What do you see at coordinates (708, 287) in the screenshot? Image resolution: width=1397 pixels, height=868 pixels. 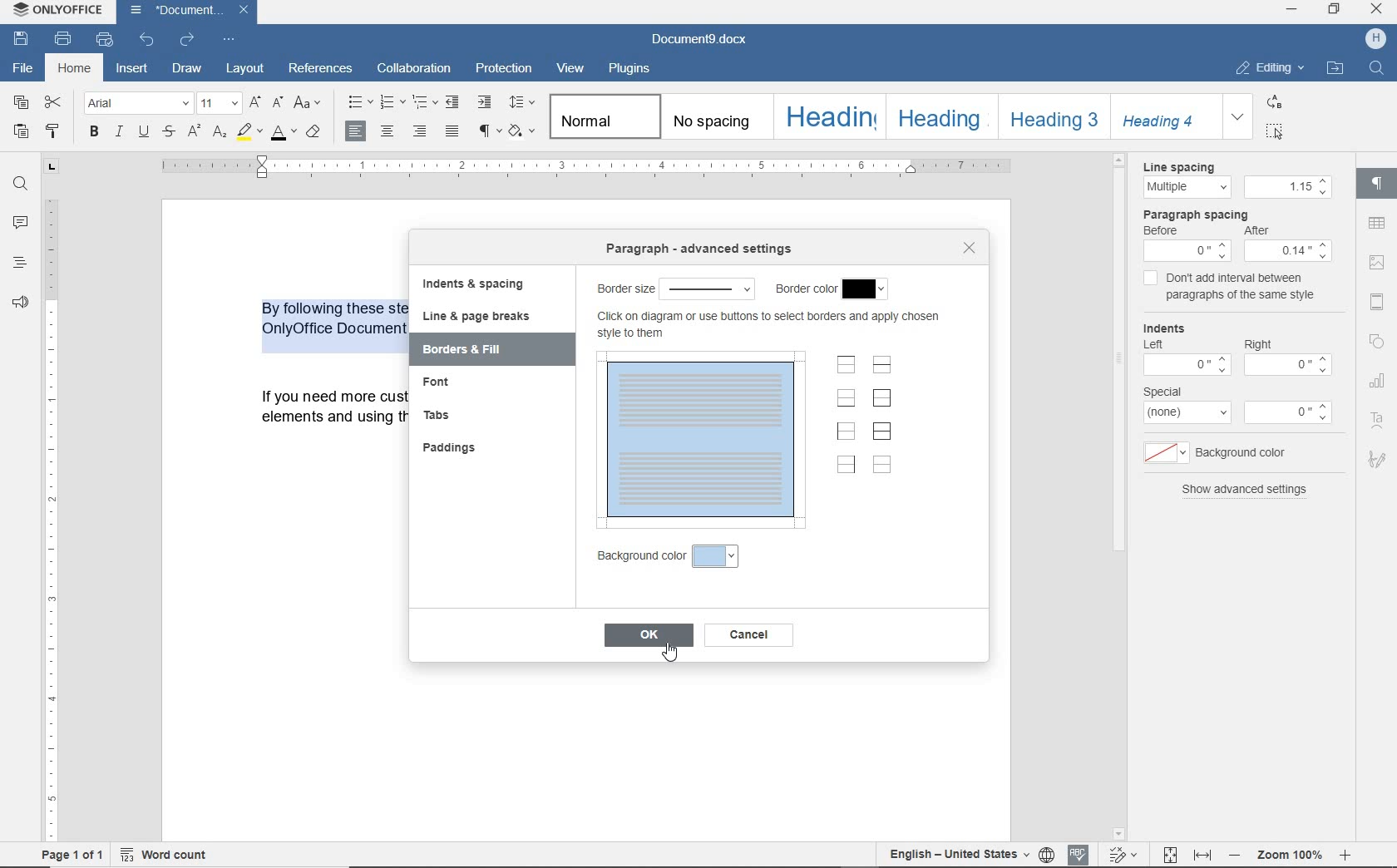 I see `select` at bounding box center [708, 287].